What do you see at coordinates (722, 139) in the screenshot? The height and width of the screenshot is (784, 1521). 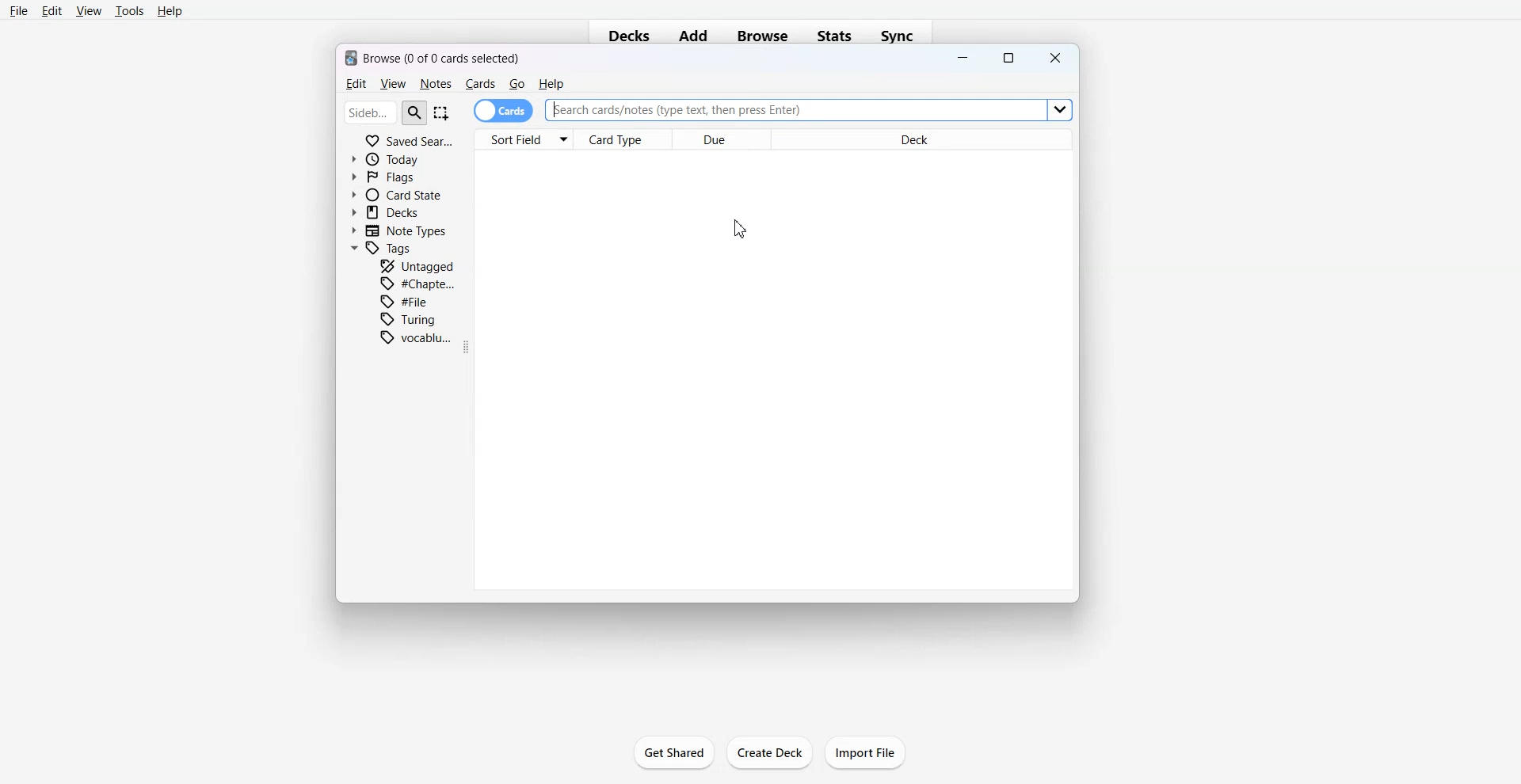 I see `Due` at bounding box center [722, 139].